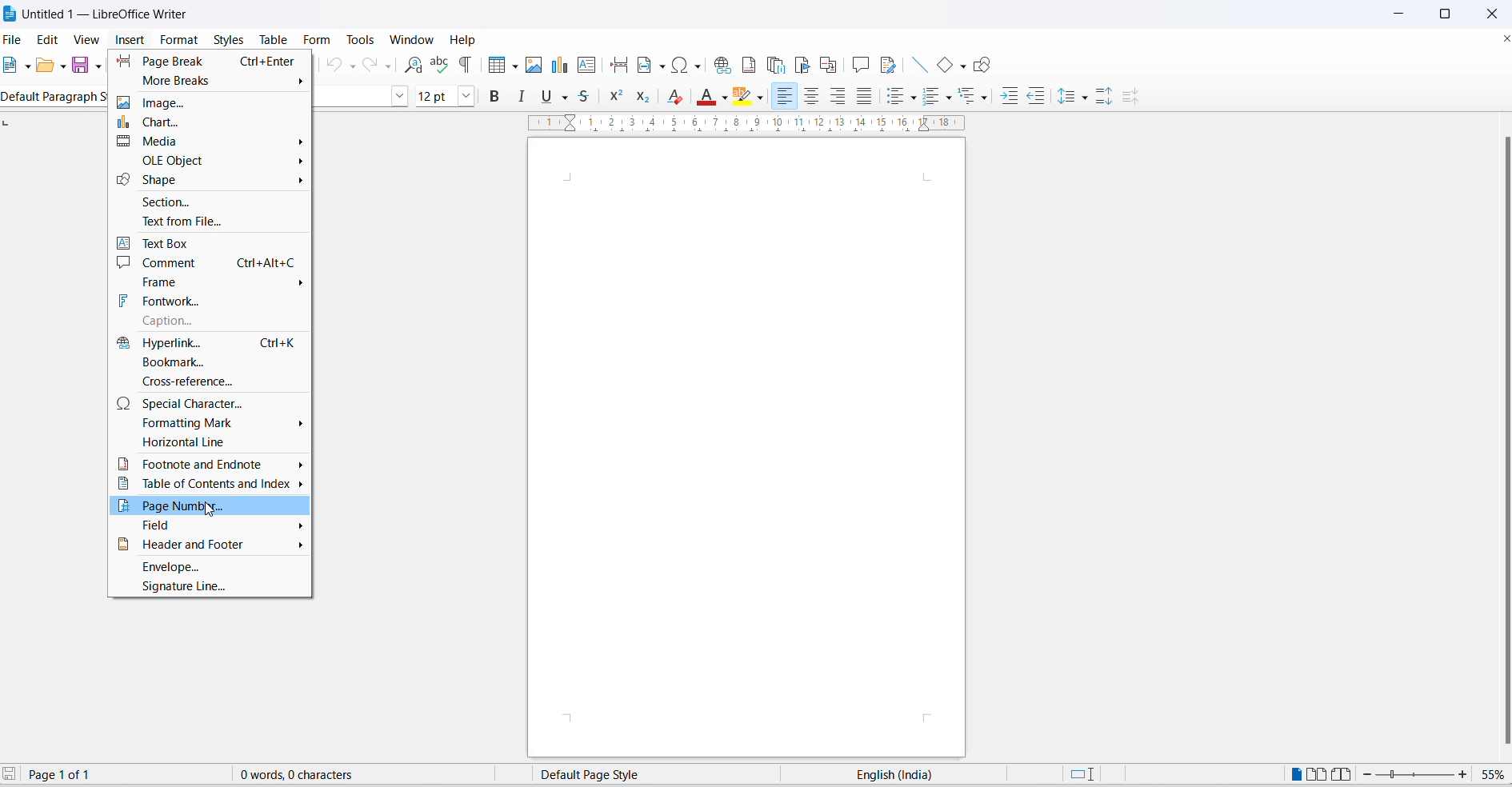 The height and width of the screenshot is (787, 1512). What do you see at coordinates (1489, 12) in the screenshot?
I see `close` at bounding box center [1489, 12].